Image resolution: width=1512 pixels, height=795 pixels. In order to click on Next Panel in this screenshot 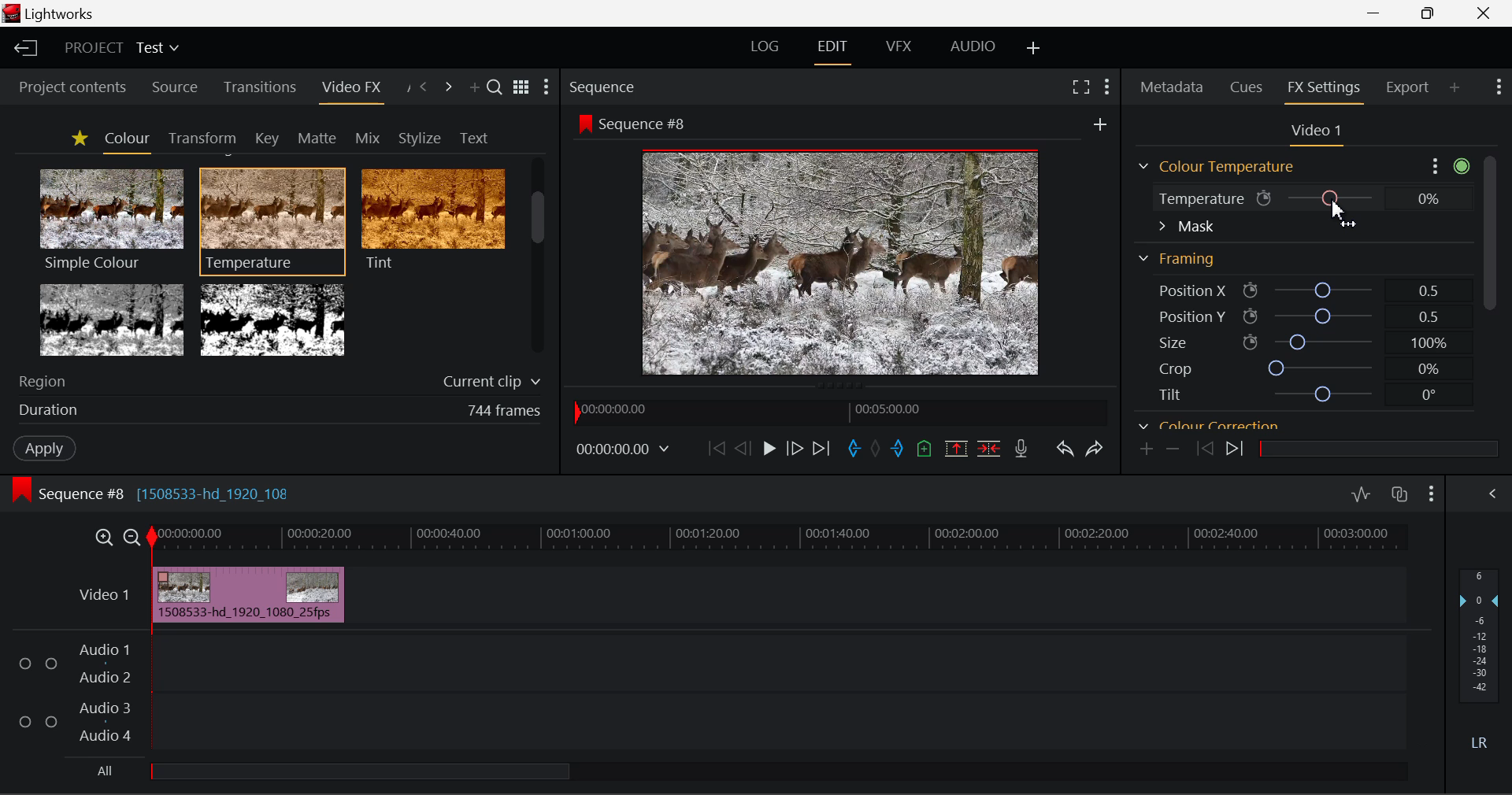, I will do `click(448, 86)`.